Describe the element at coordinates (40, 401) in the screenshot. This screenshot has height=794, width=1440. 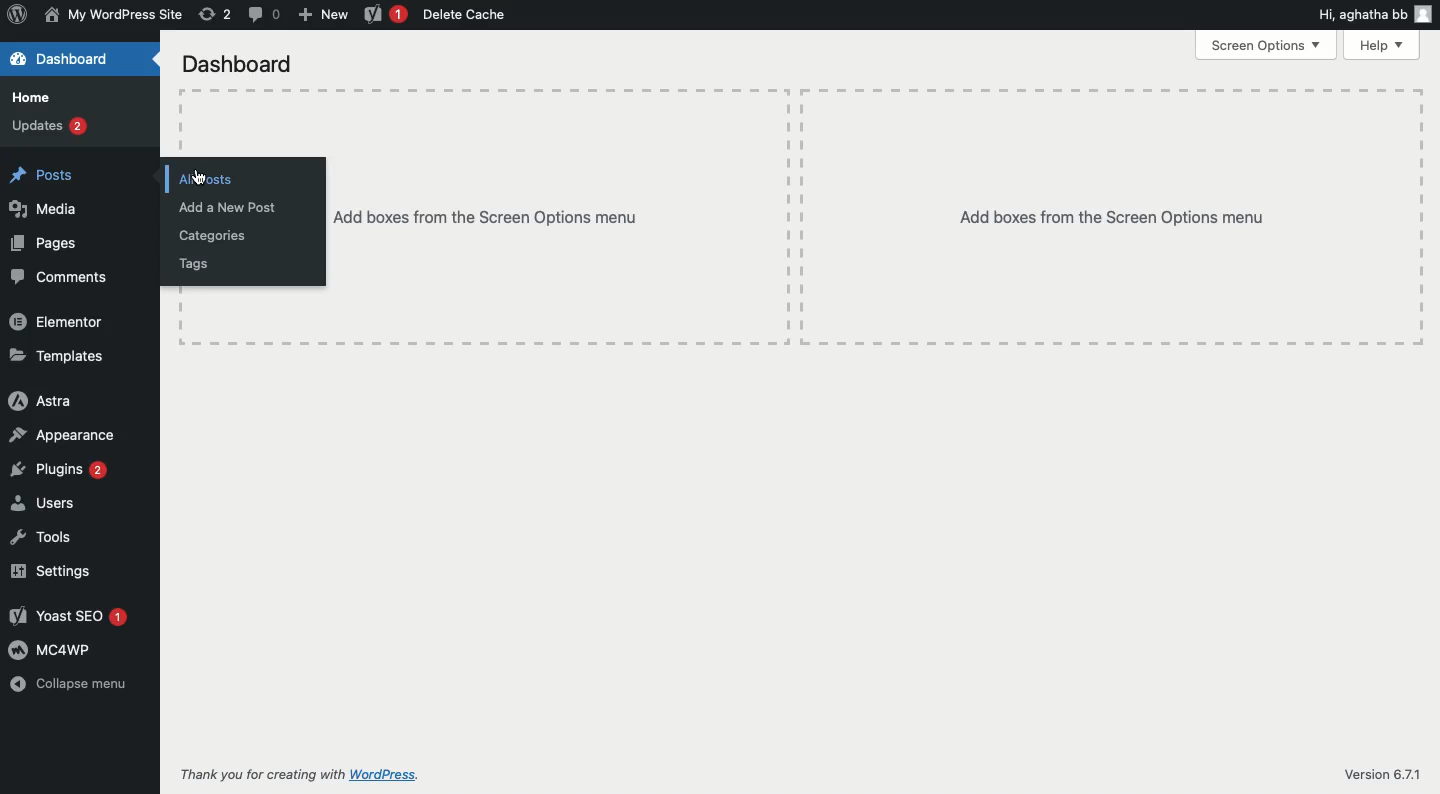
I see `Astra` at that location.